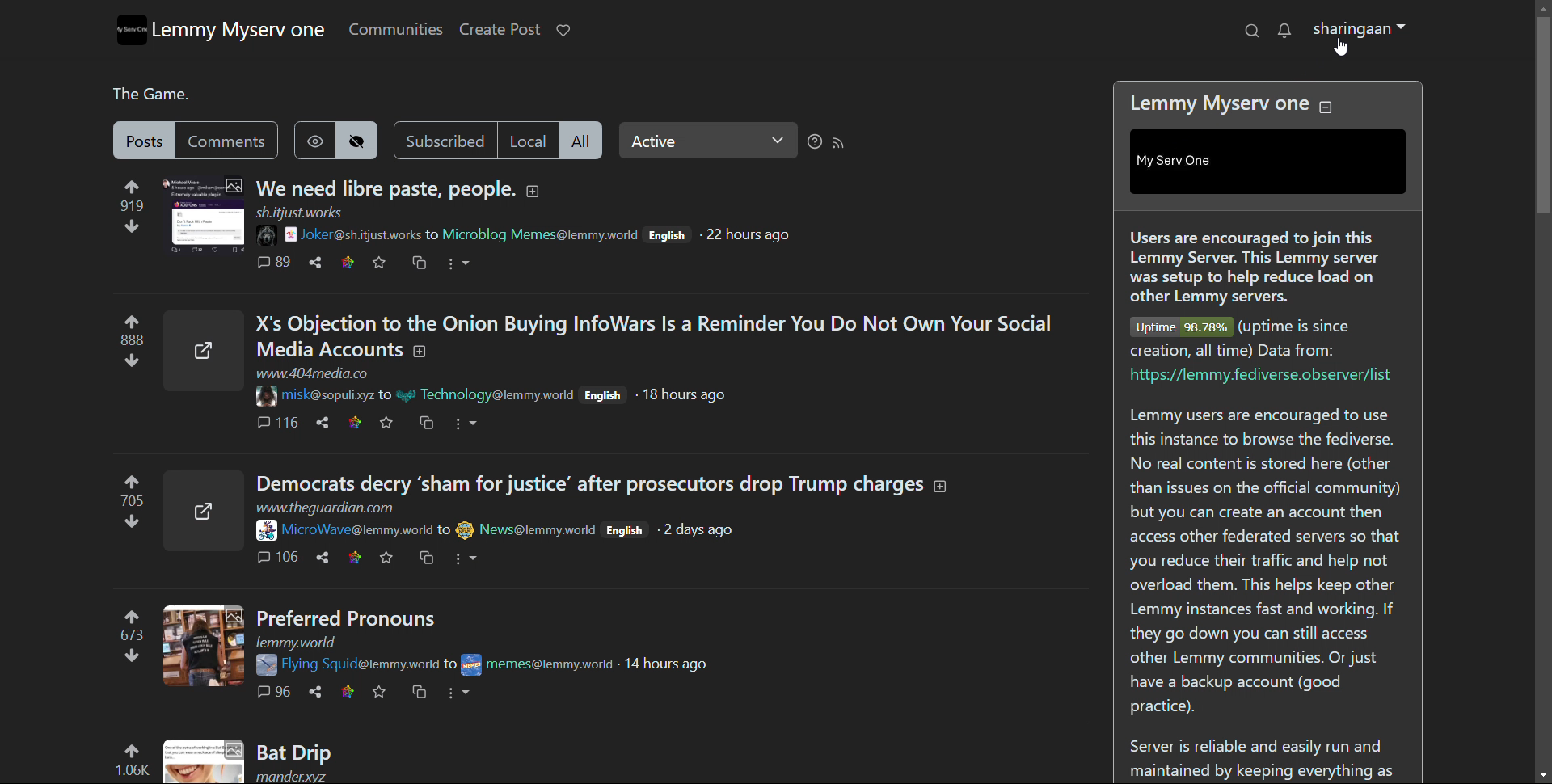 The height and width of the screenshot is (784, 1552). What do you see at coordinates (1544, 388) in the screenshot?
I see `scrollbar` at bounding box center [1544, 388].